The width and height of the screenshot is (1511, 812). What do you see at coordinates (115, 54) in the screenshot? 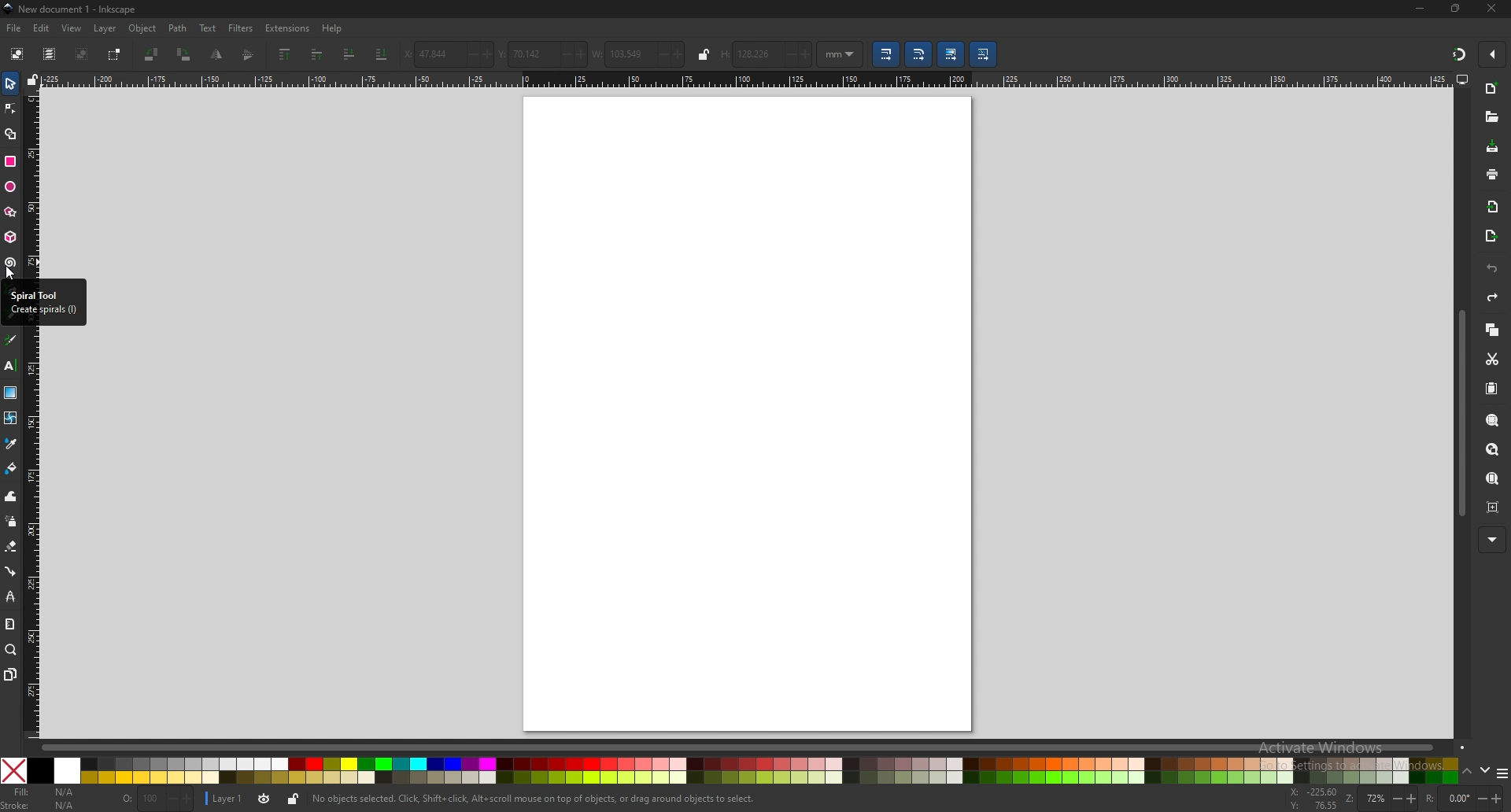
I see `toggle selection box` at bounding box center [115, 54].